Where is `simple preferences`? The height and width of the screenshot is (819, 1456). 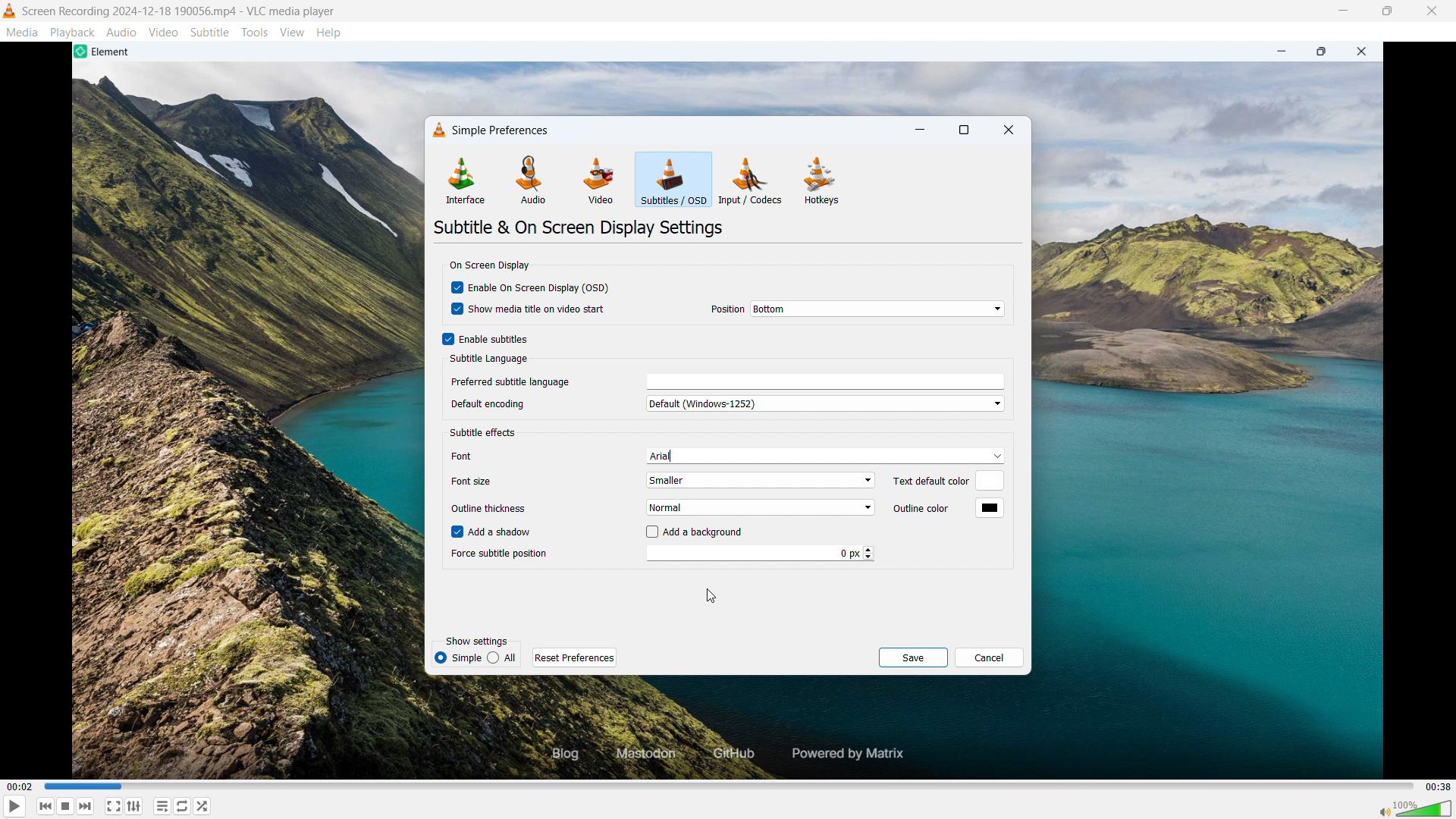 simple preferences is located at coordinates (504, 130).